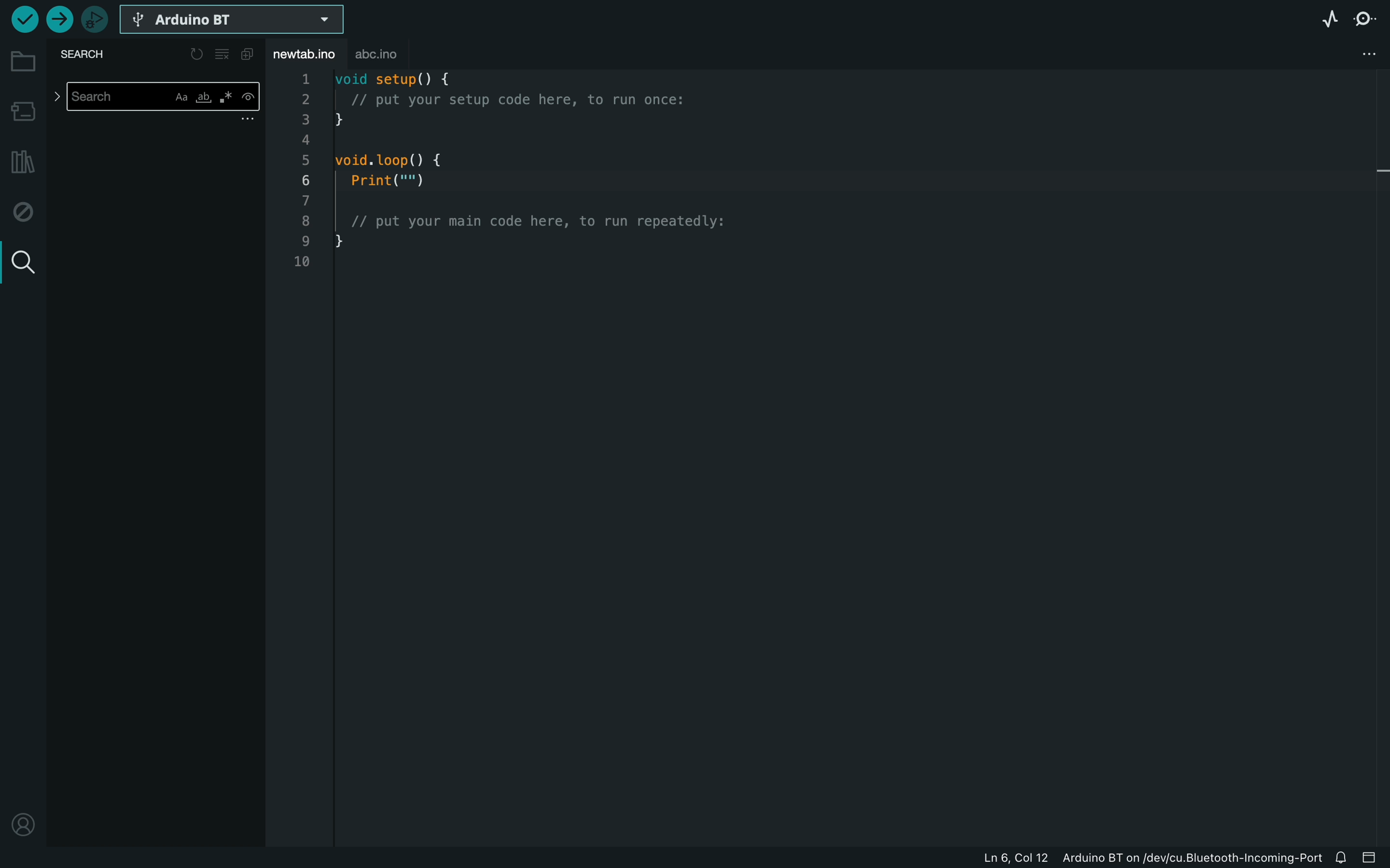 The height and width of the screenshot is (868, 1390). I want to click on search, so click(22, 263).